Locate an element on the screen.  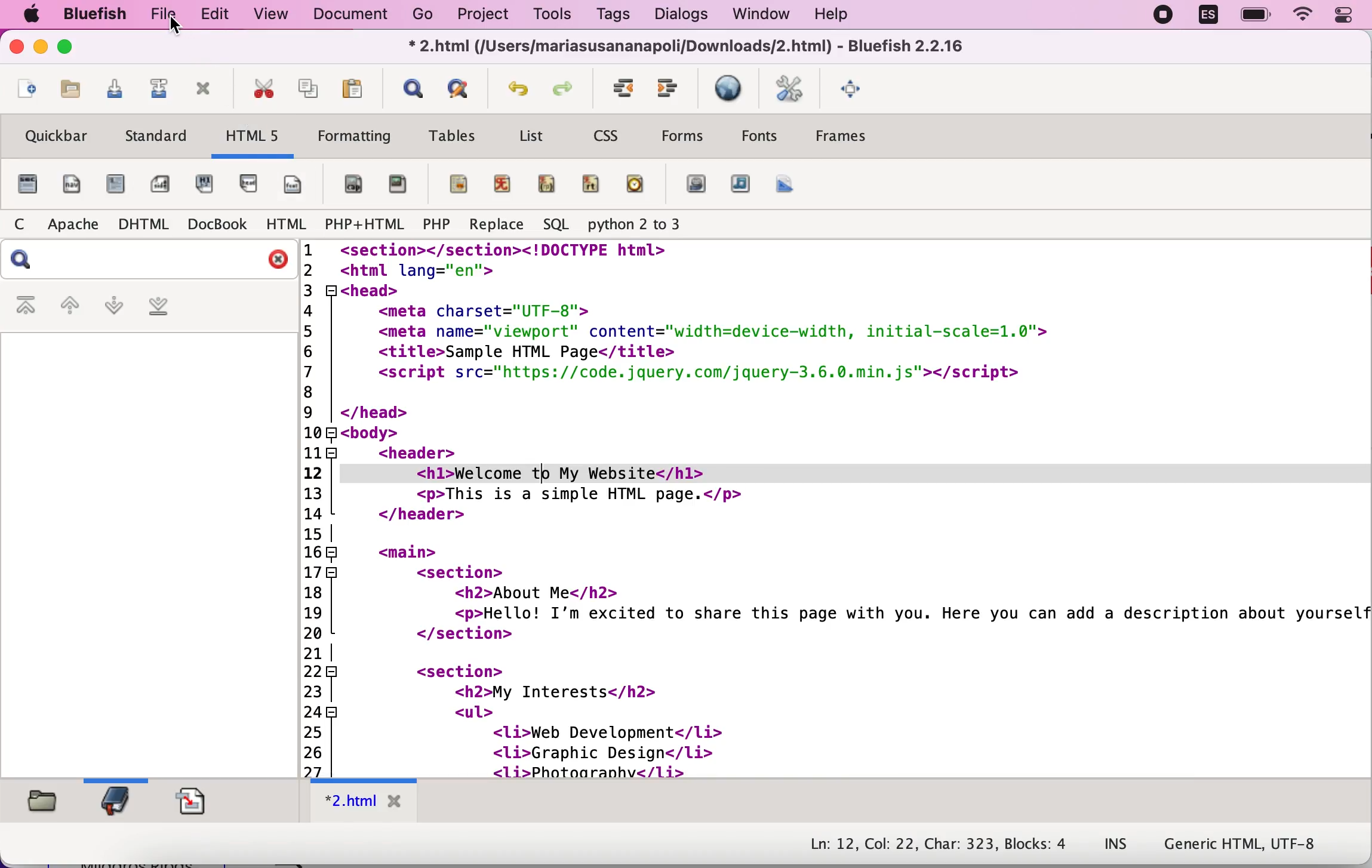
Generic HTML, UTF-8 is located at coordinates (1256, 844).